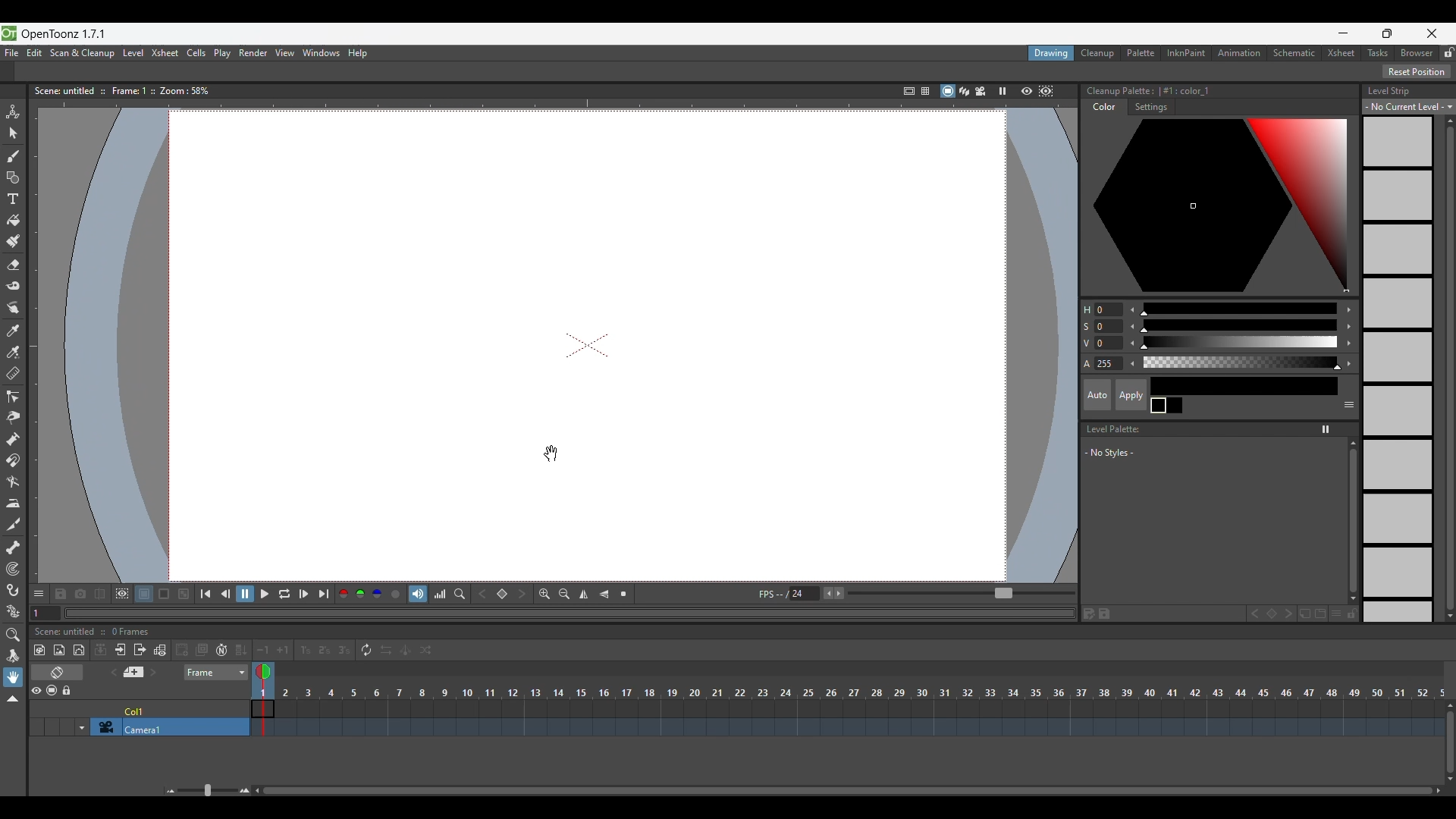  What do you see at coordinates (440, 594) in the screenshot?
I see `Histogram` at bounding box center [440, 594].